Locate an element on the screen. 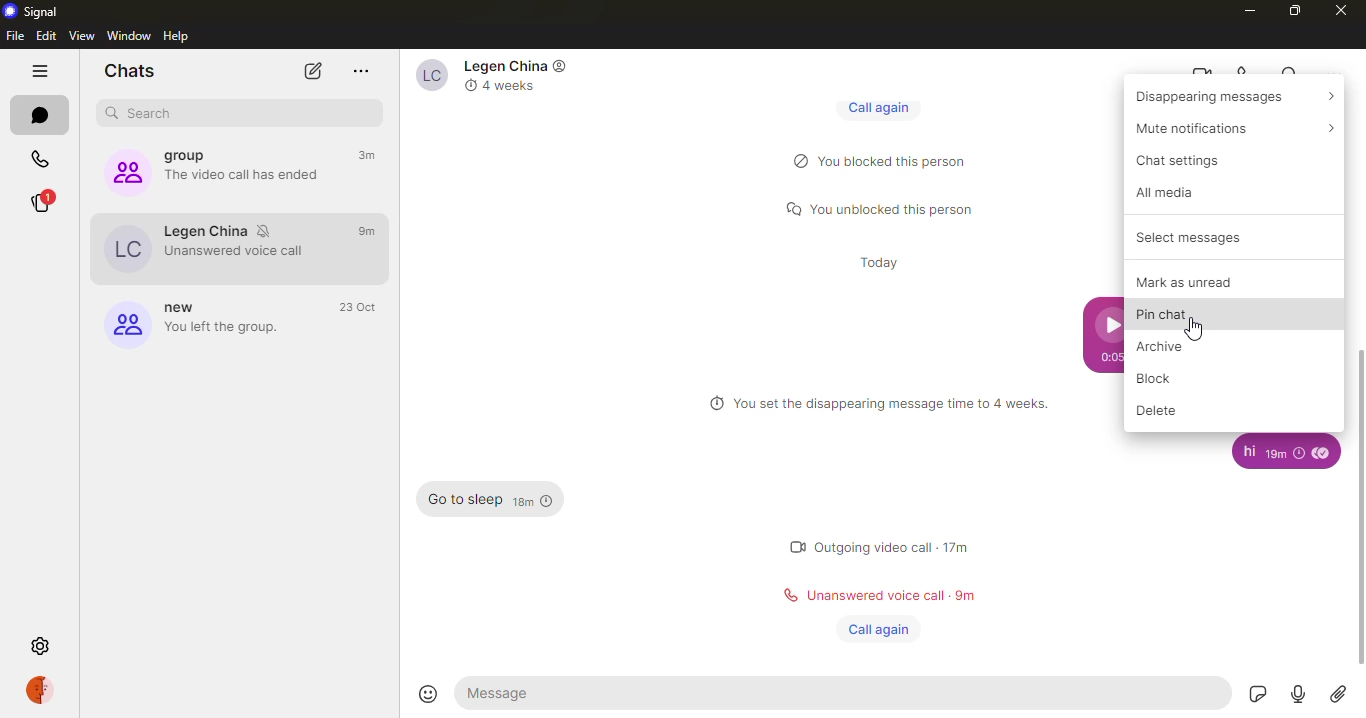 This screenshot has width=1366, height=718. block is located at coordinates (1162, 378).